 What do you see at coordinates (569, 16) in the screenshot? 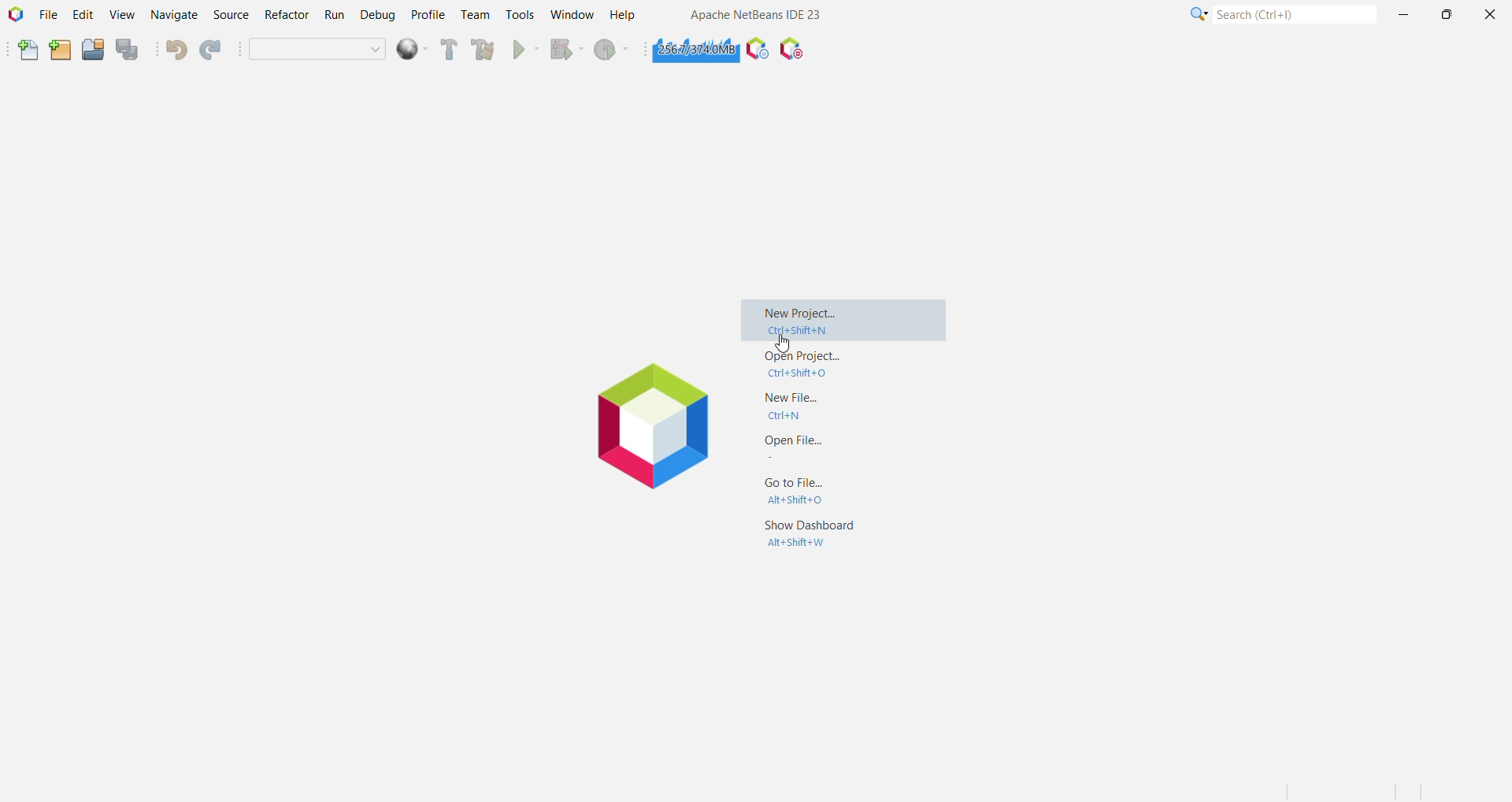
I see `Window` at bounding box center [569, 16].